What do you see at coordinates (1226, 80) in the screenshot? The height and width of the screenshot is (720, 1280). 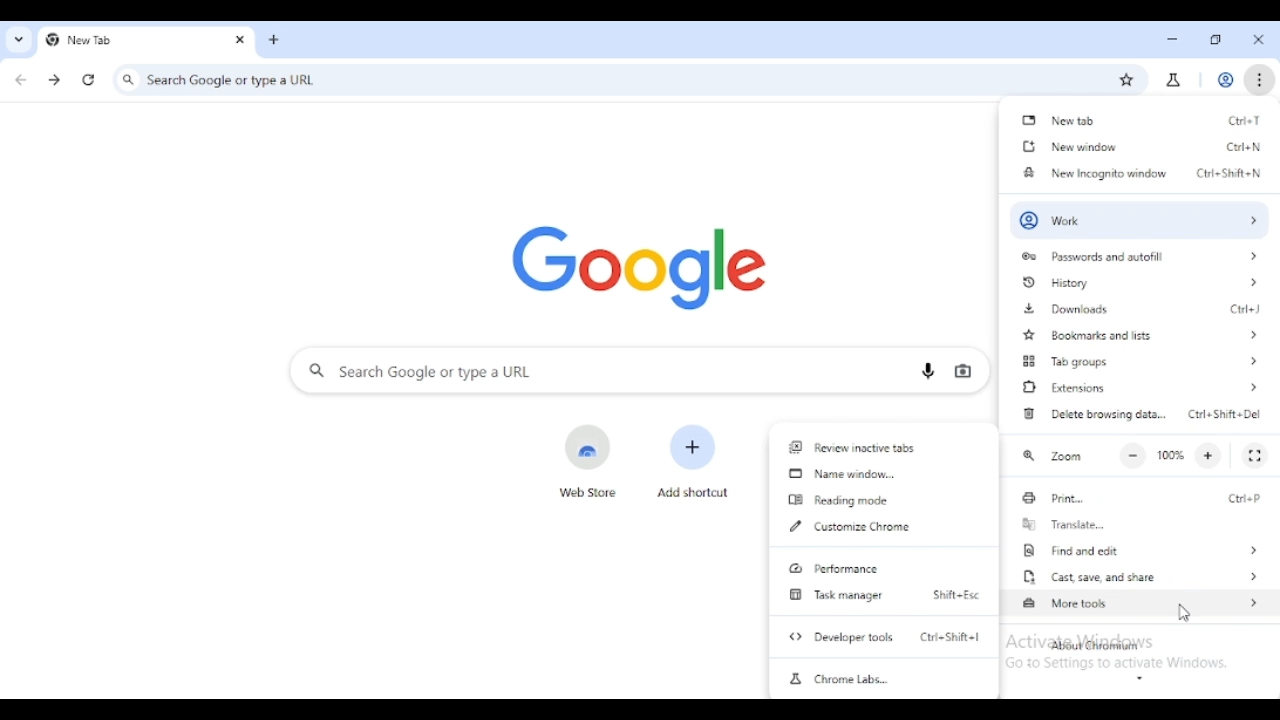 I see `profile` at bounding box center [1226, 80].